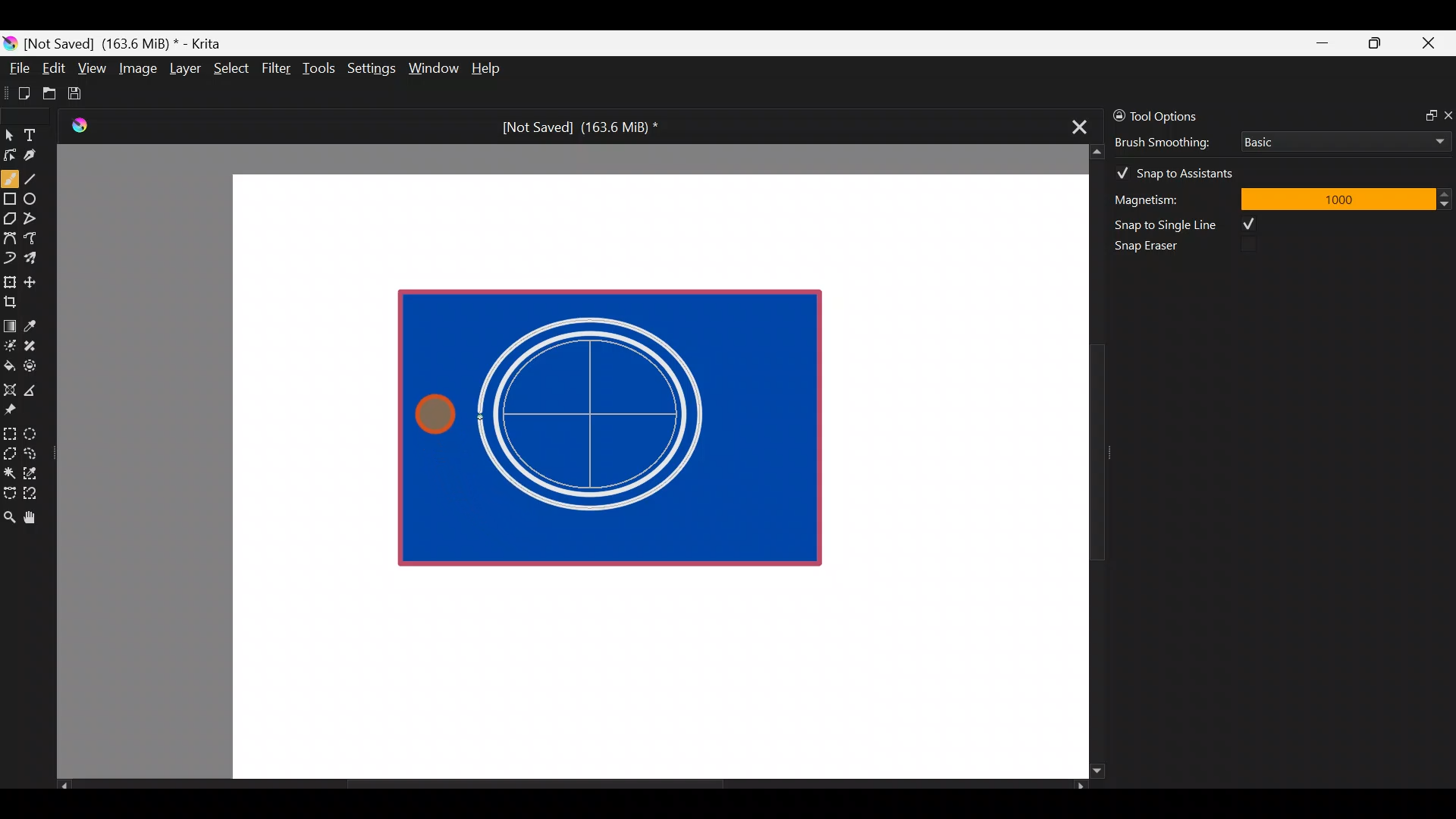 The width and height of the screenshot is (1456, 819). I want to click on Decrease, so click(1447, 203).